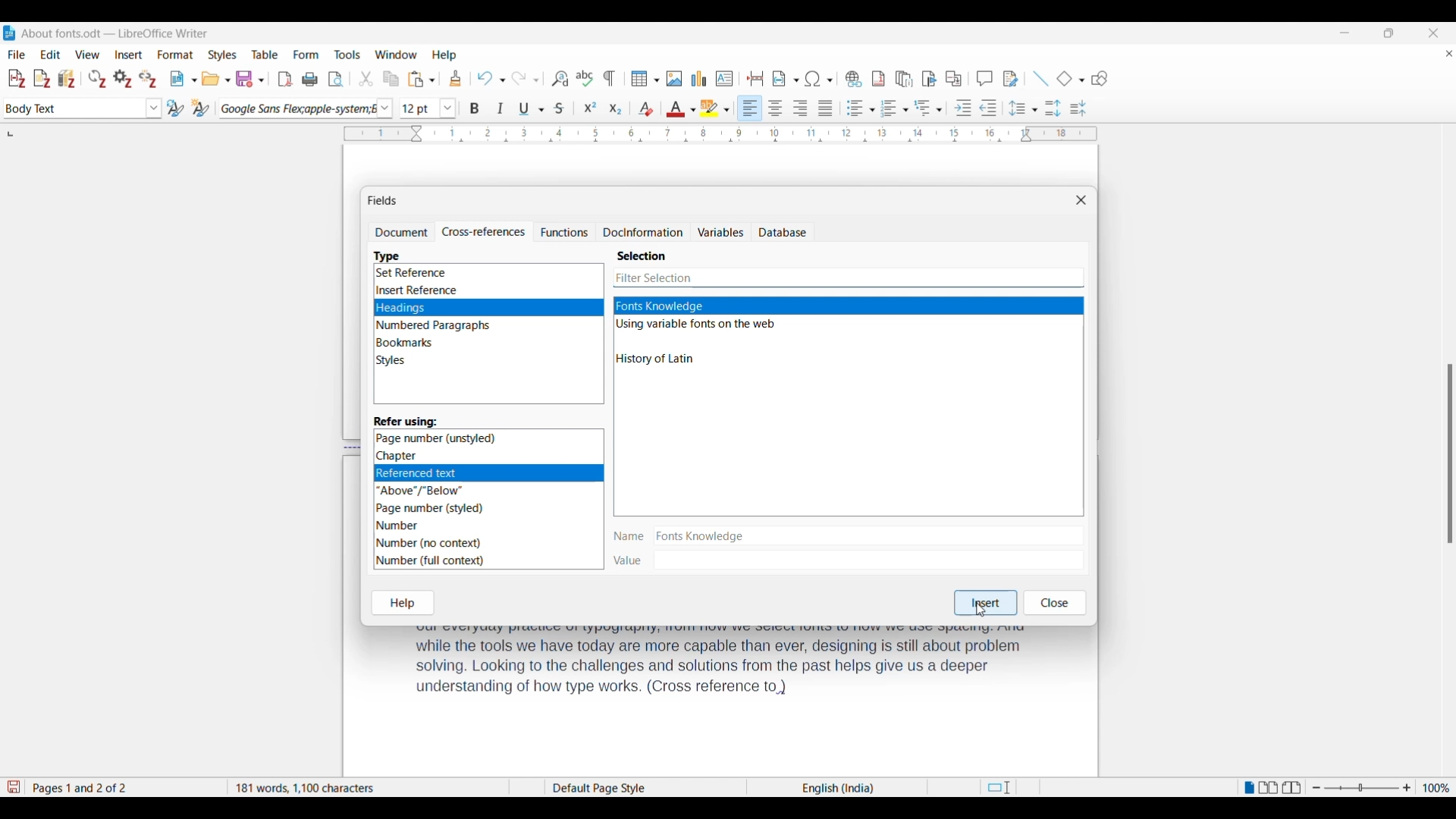  Describe the element at coordinates (456, 78) in the screenshot. I see `Clone formatting` at that location.